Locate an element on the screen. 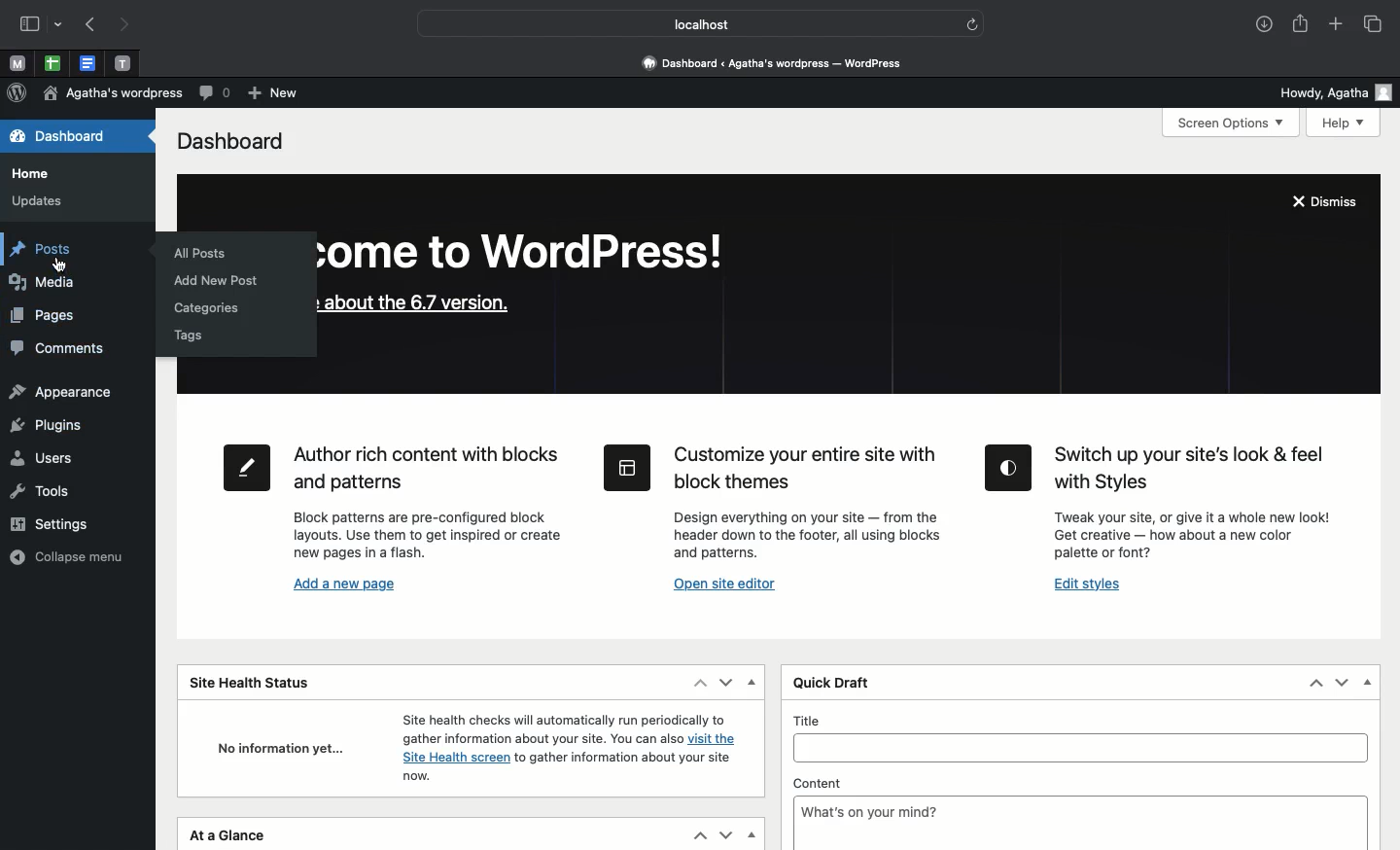 This screenshot has width=1400, height=850. Pinned tab is located at coordinates (122, 62).